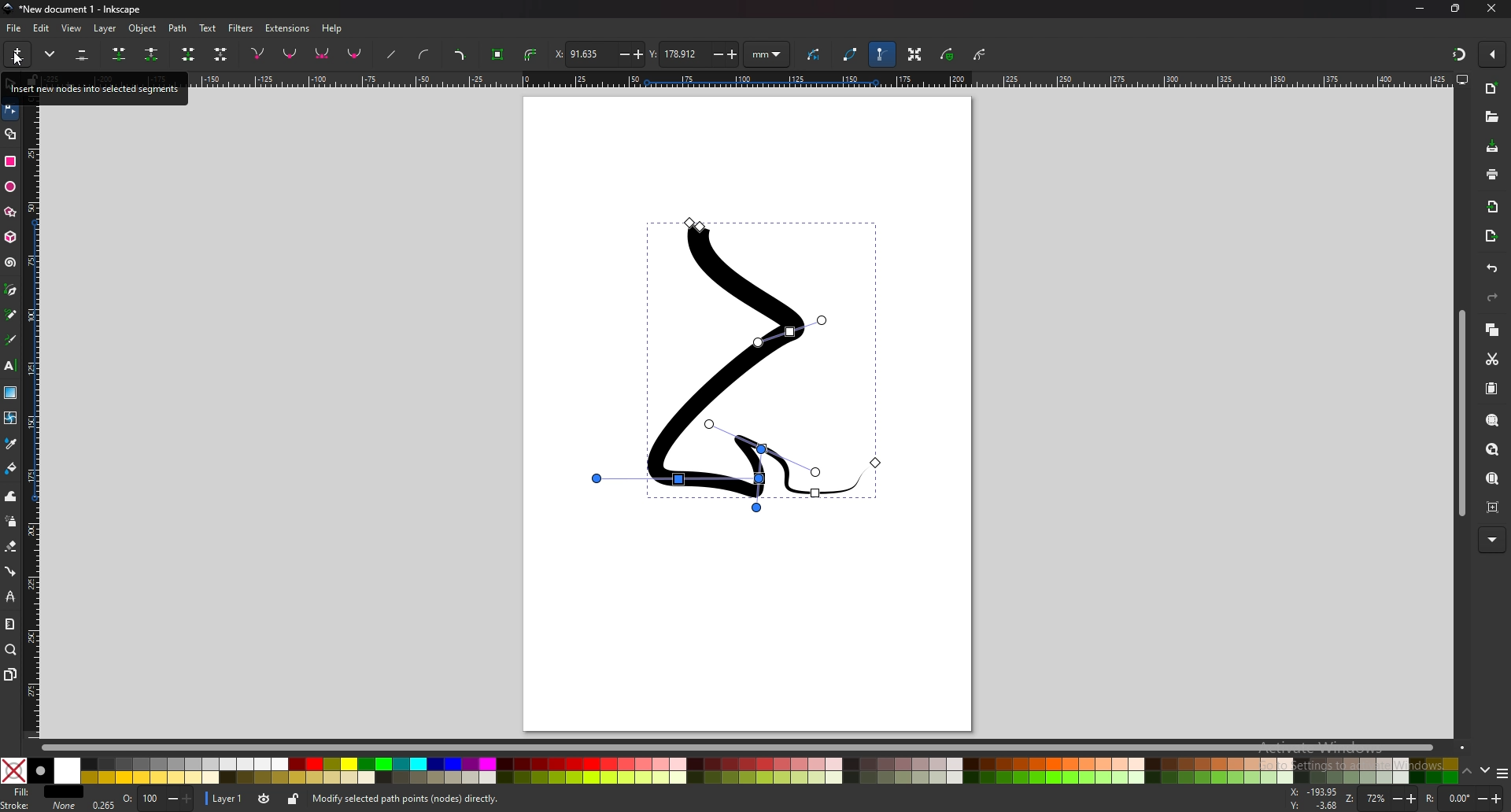  Describe the element at coordinates (1492, 90) in the screenshot. I see `new` at that location.